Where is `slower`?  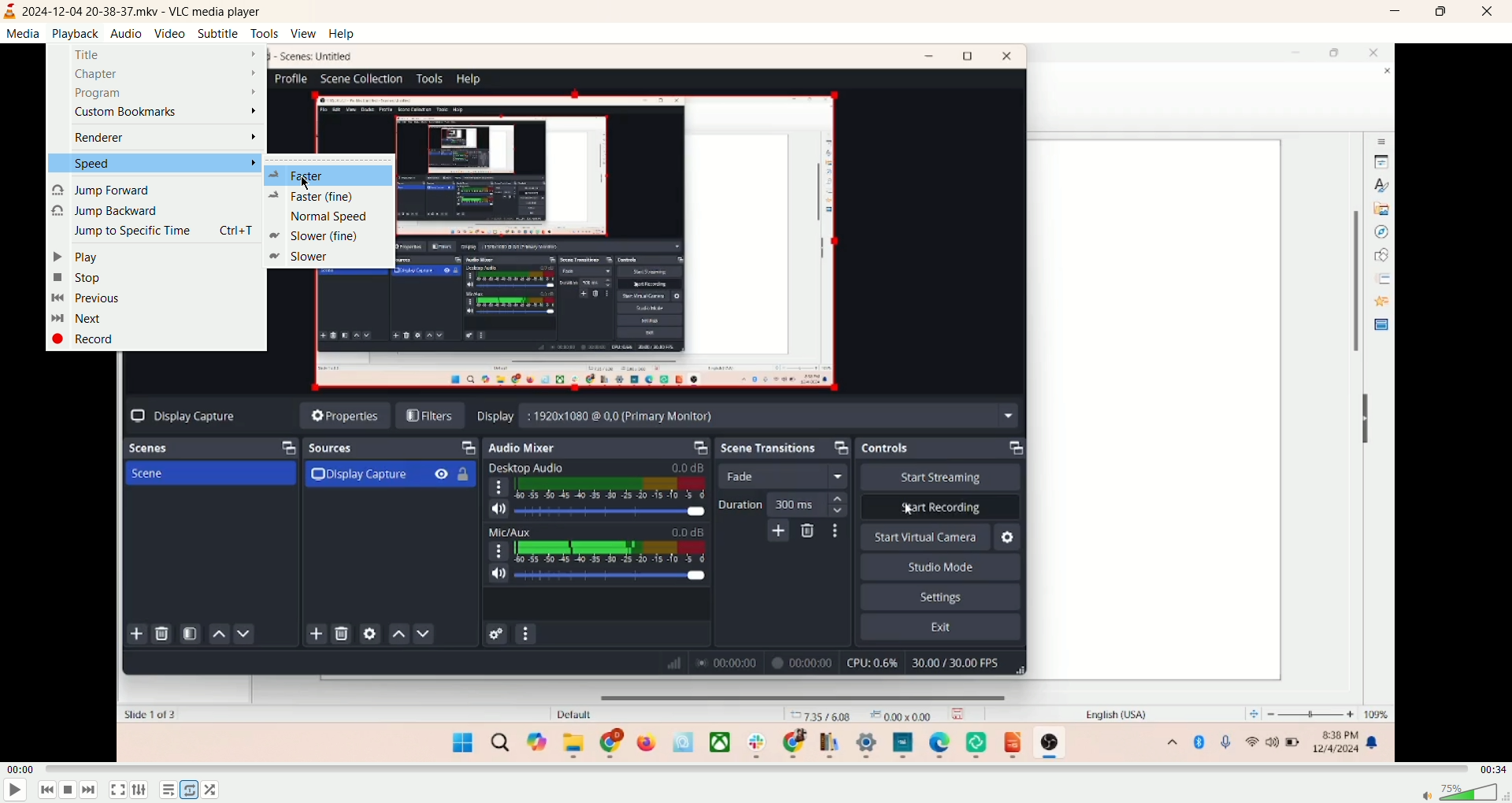 slower is located at coordinates (302, 257).